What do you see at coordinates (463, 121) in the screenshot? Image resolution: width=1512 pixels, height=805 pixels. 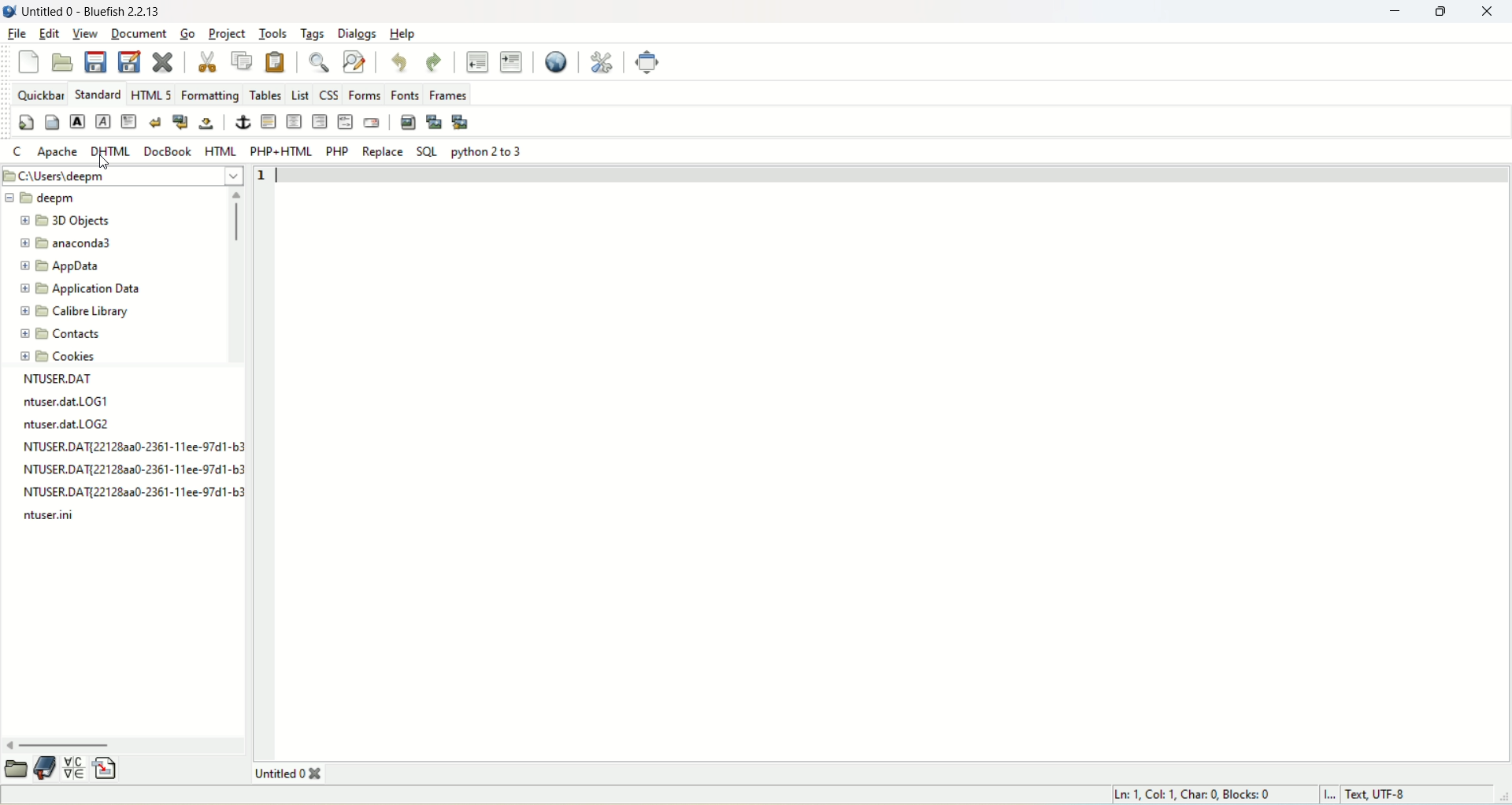 I see `multi-thumbnail` at bounding box center [463, 121].